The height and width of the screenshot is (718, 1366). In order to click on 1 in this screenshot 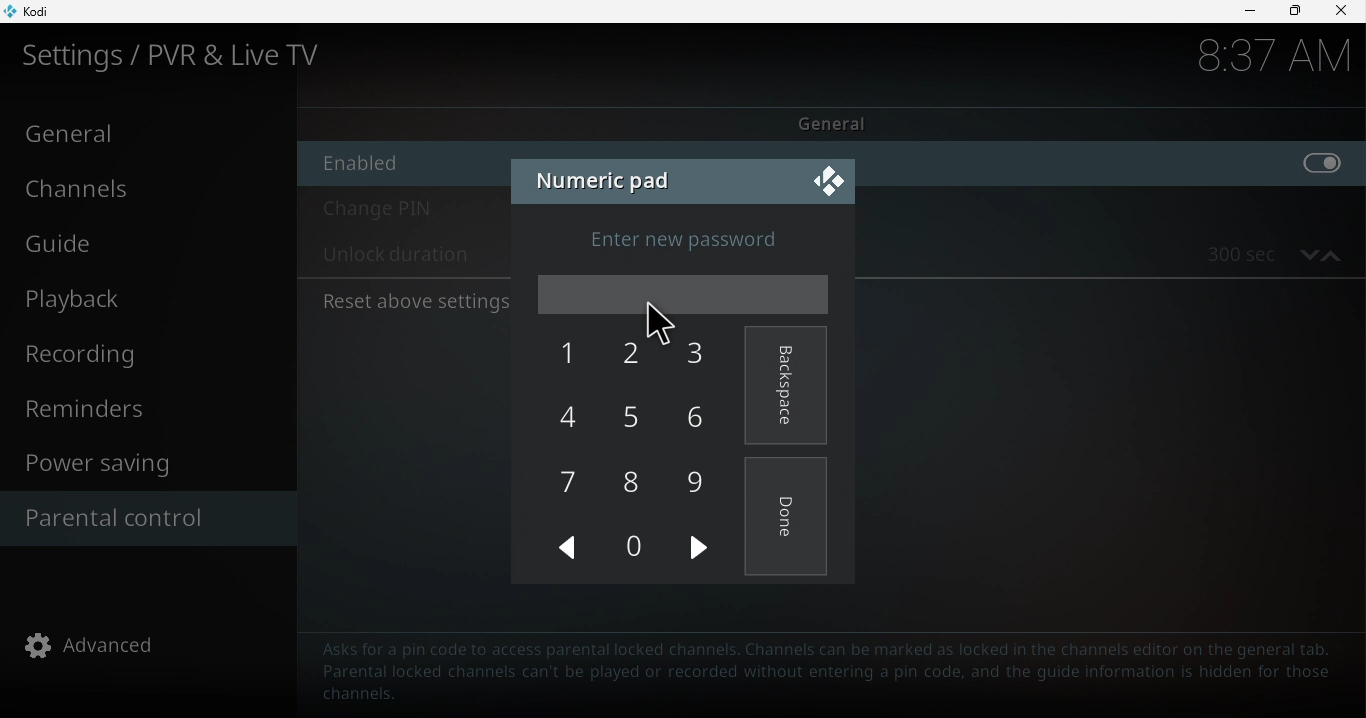, I will do `click(571, 354)`.